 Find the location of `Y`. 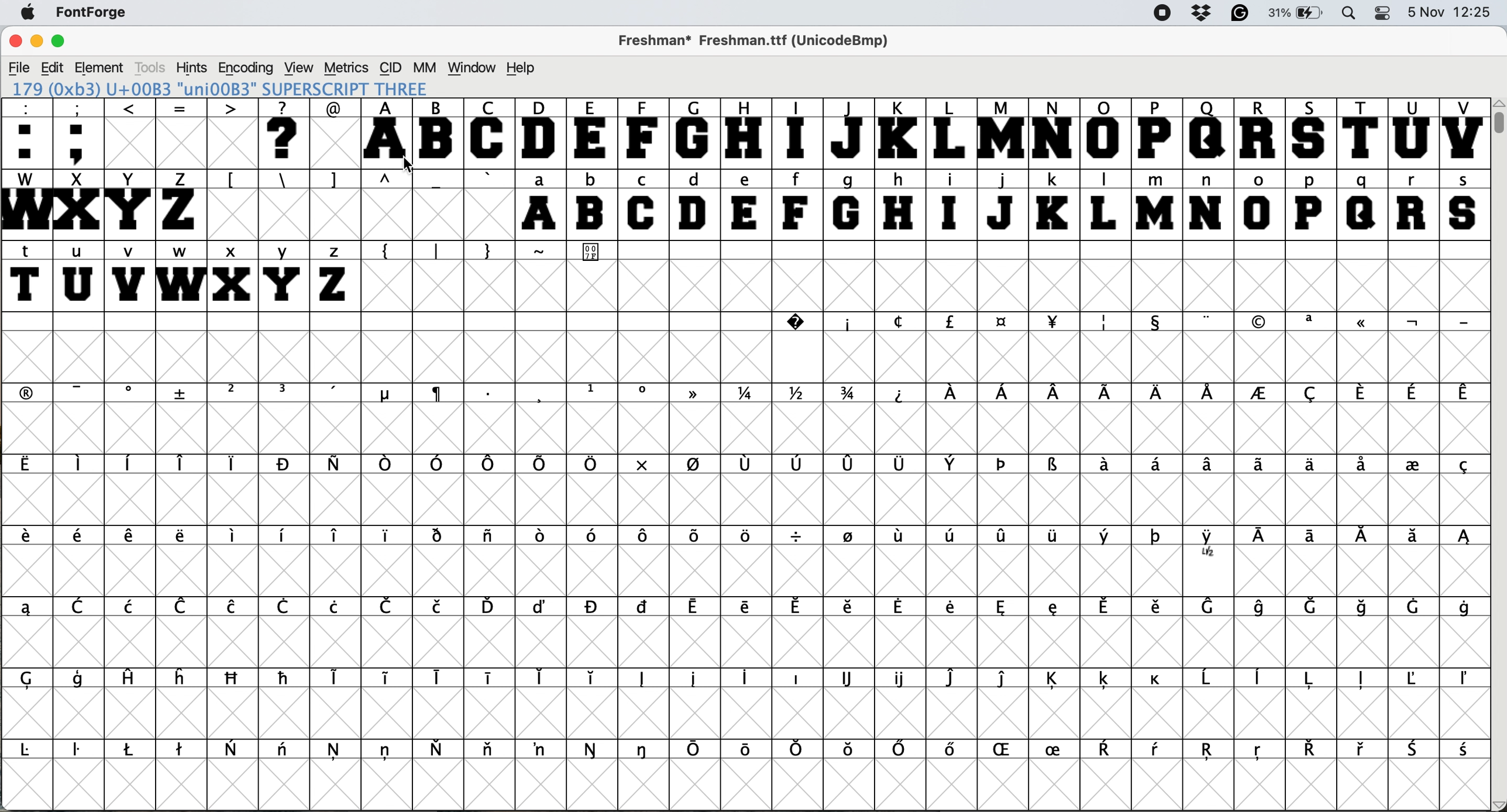

Y is located at coordinates (130, 204).